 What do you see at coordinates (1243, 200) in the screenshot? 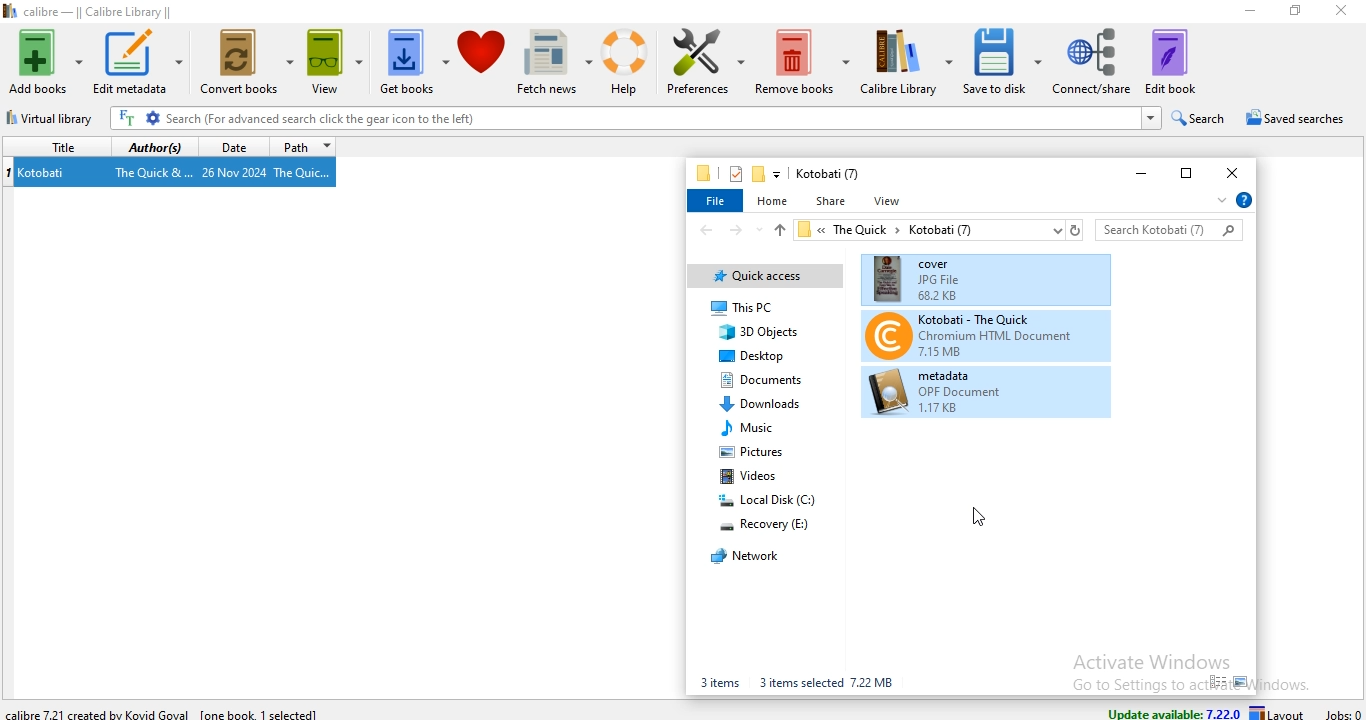
I see `help` at bounding box center [1243, 200].